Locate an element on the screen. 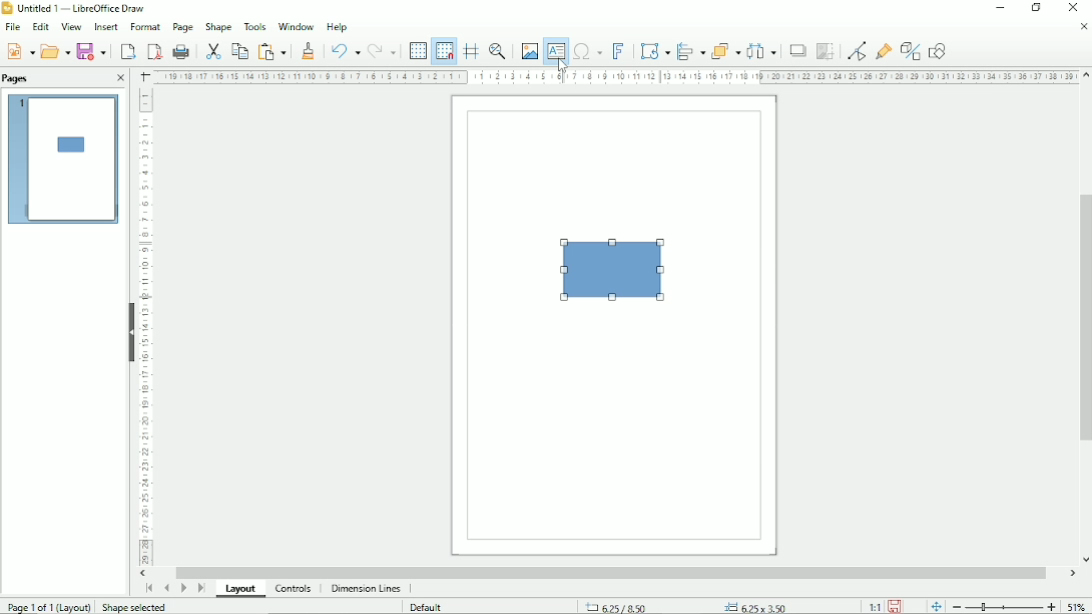  Close is located at coordinates (121, 78).